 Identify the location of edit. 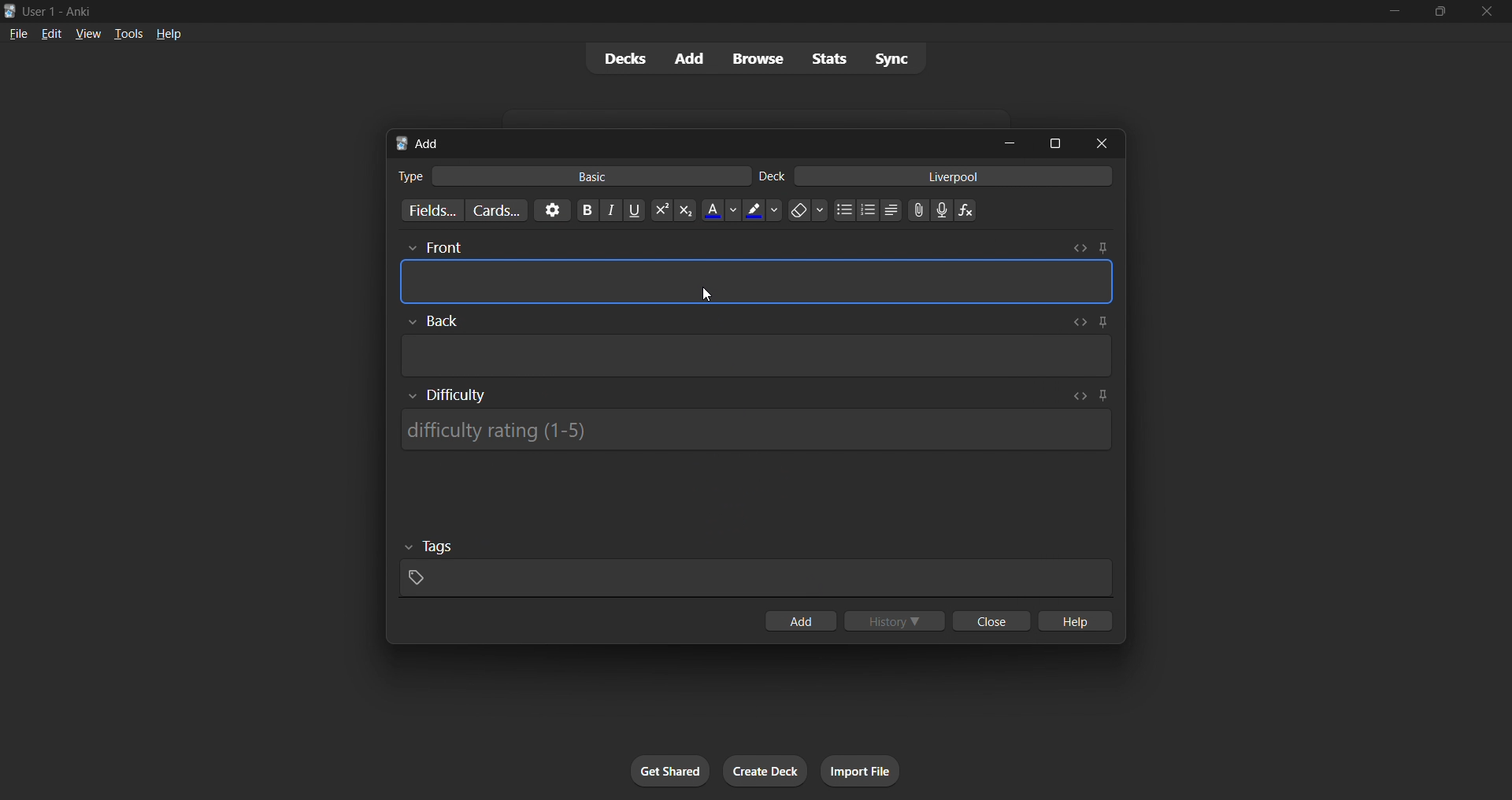
(52, 33).